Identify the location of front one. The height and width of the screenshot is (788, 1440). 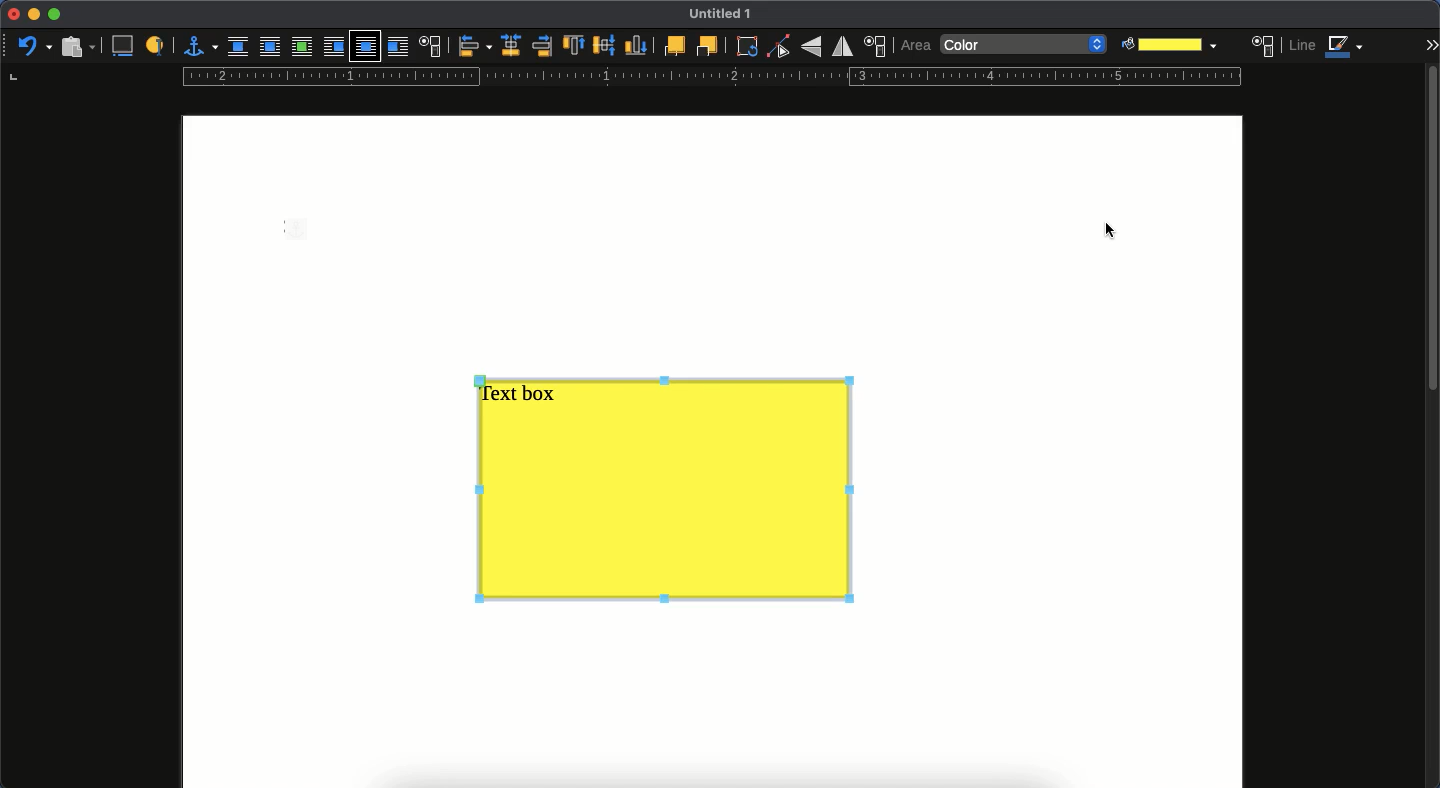
(673, 45).